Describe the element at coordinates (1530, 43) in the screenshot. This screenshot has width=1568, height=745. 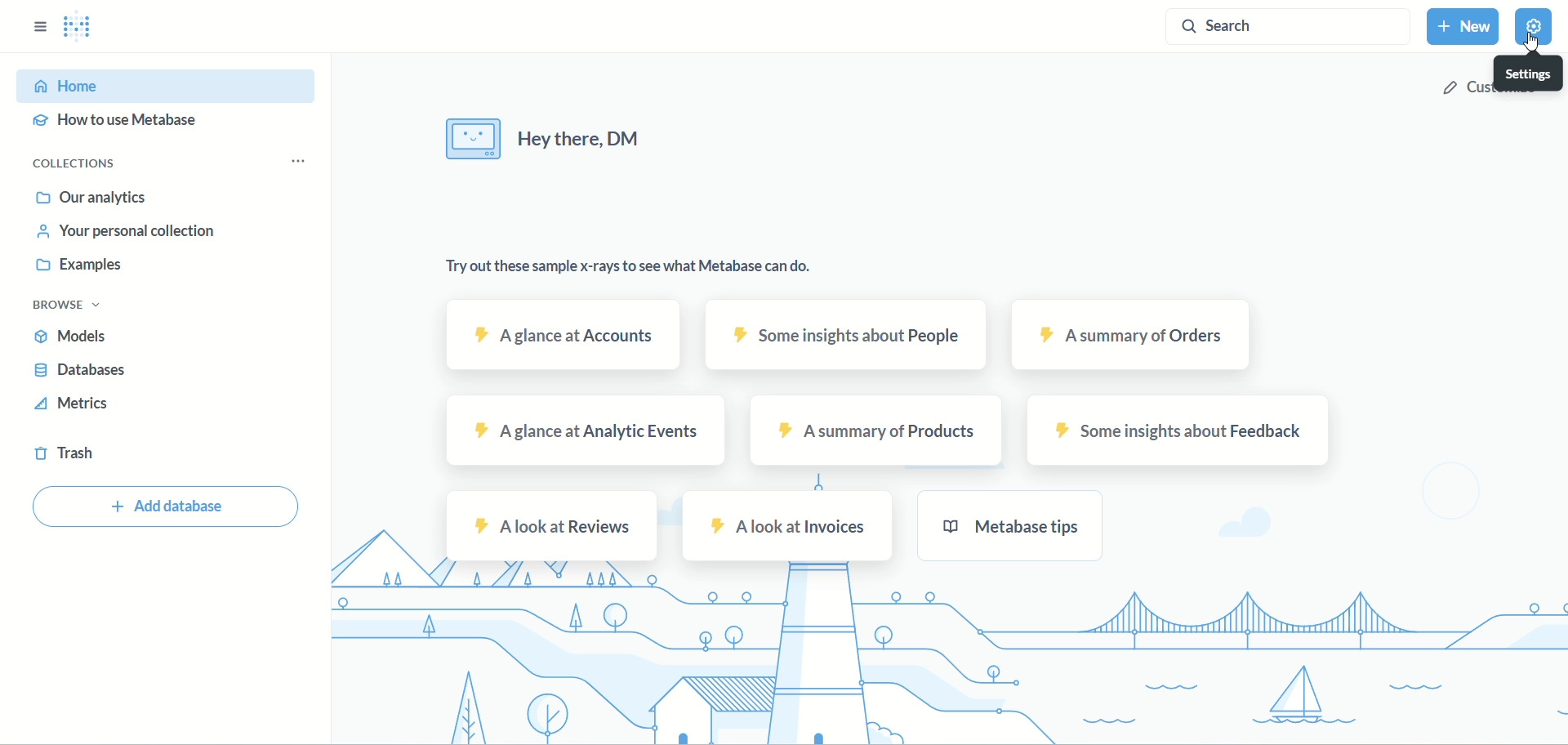
I see `cursor` at that location.